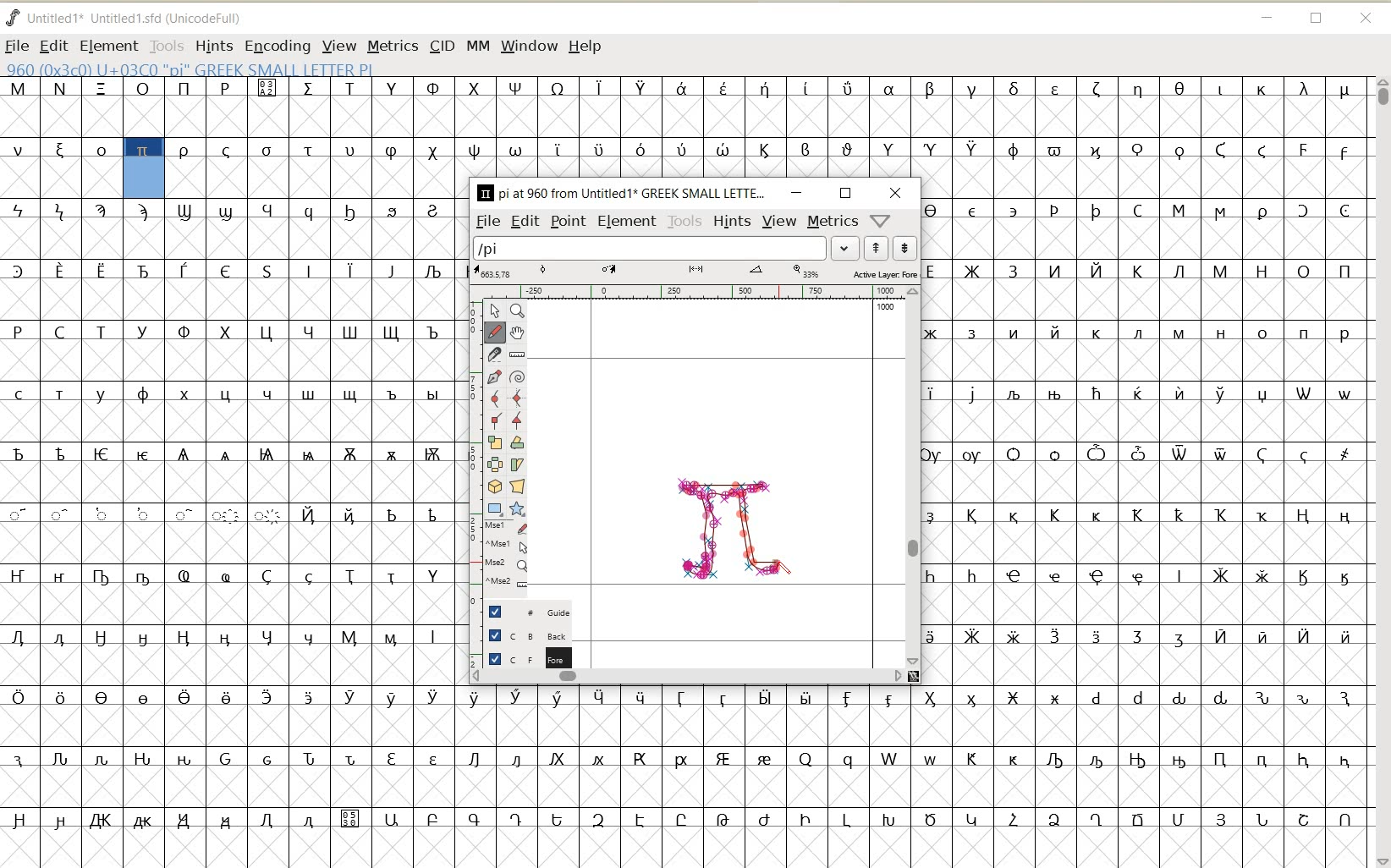 This screenshot has width=1391, height=868. Describe the element at coordinates (525, 222) in the screenshot. I see `EDIT` at that location.